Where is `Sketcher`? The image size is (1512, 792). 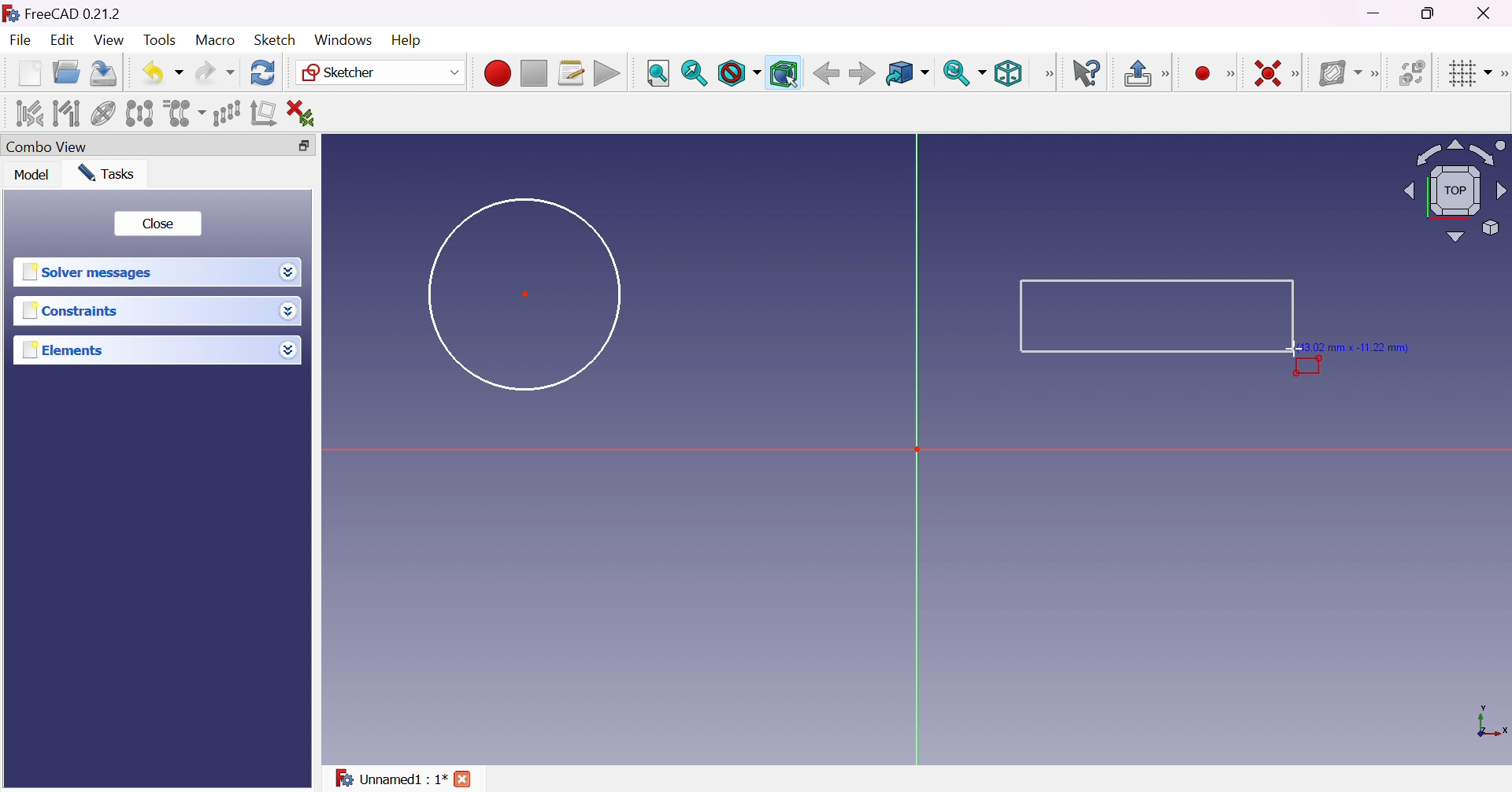
Sketcher is located at coordinates (378, 72).